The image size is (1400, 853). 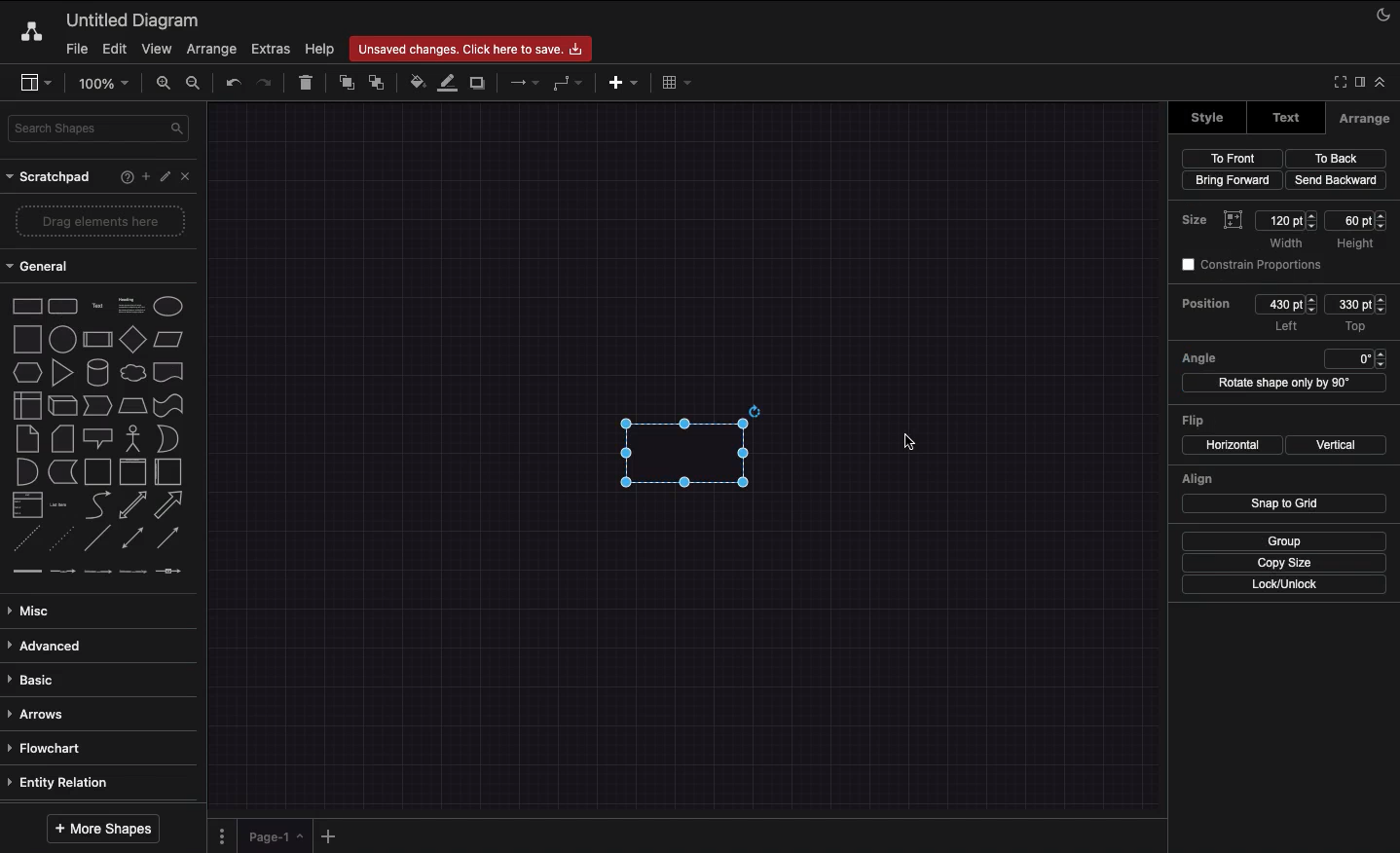 What do you see at coordinates (57, 750) in the screenshot?
I see `Flowchart` at bounding box center [57, 750].